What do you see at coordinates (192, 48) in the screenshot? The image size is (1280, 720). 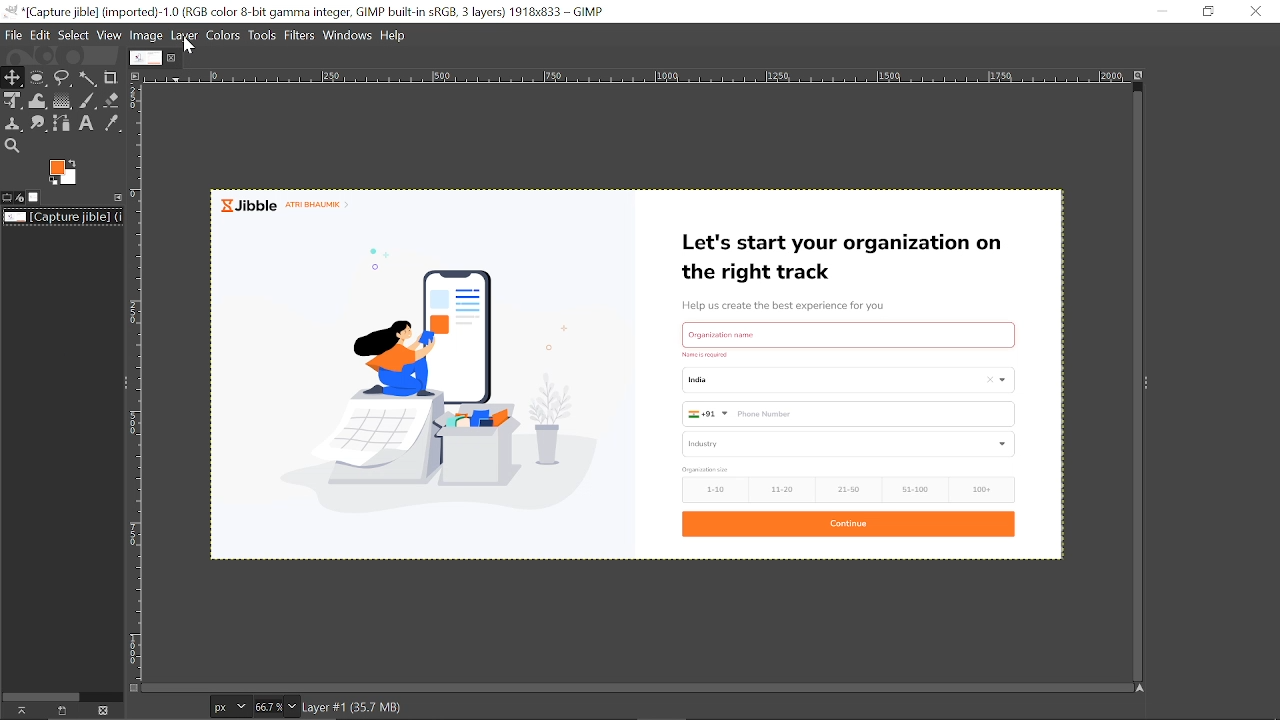 I see `cursor` at bounding box center [192, 48].